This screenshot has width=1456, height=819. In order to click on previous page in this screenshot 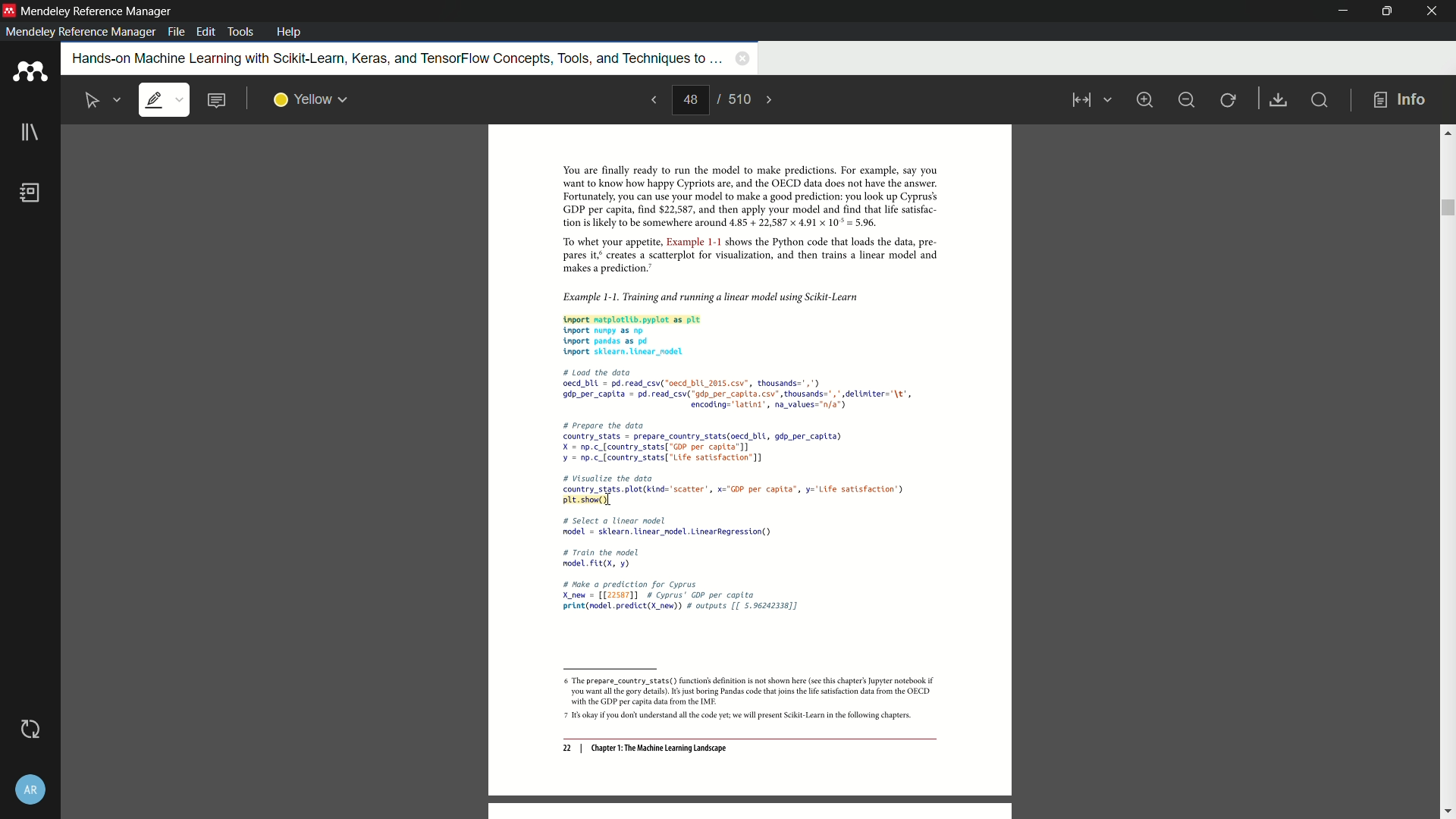, I will do `click(652, 99)`.